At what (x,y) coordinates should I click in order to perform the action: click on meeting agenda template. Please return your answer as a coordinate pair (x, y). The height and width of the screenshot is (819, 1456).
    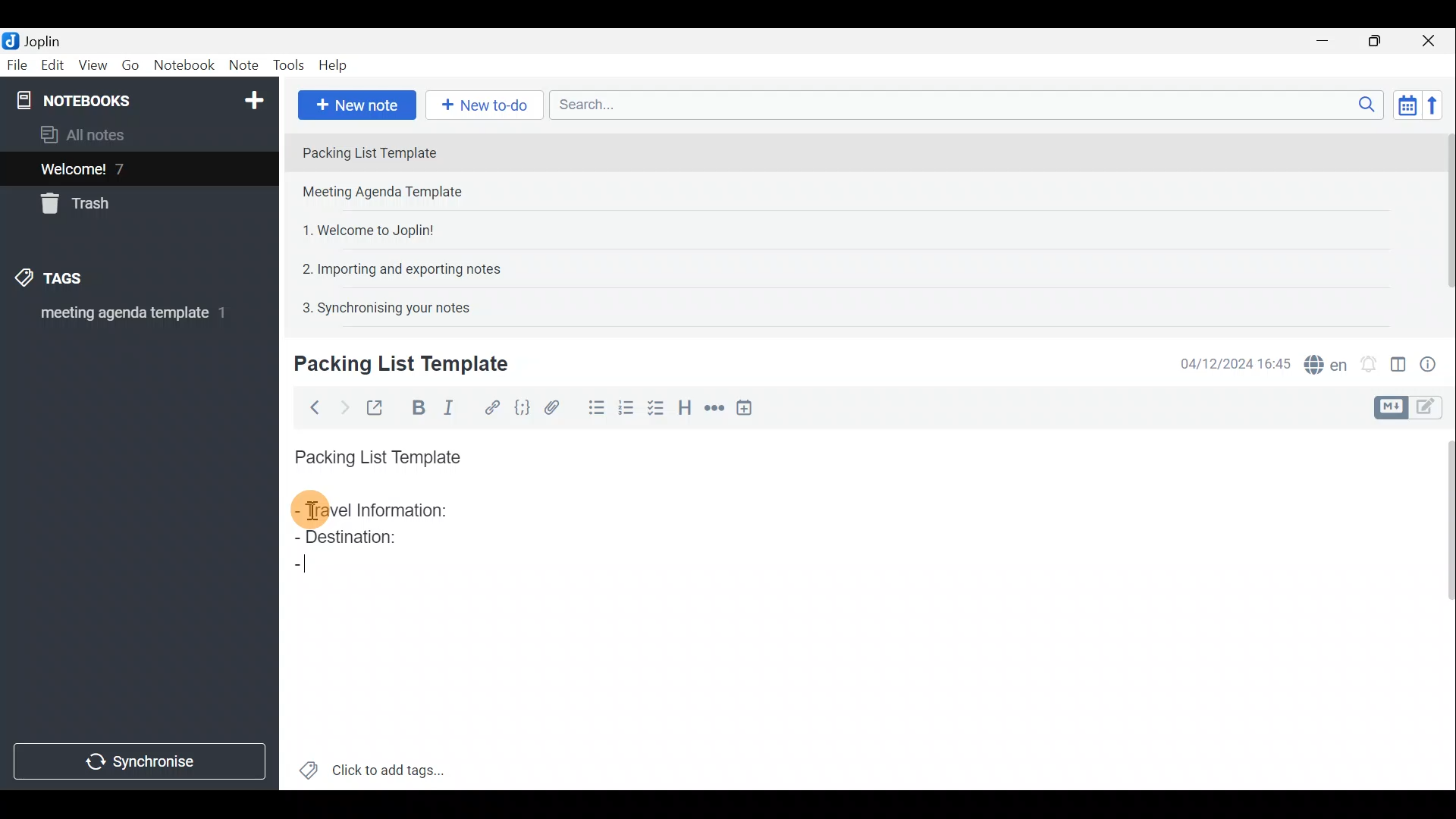
    Looking at the image, I should click on (130, 318).